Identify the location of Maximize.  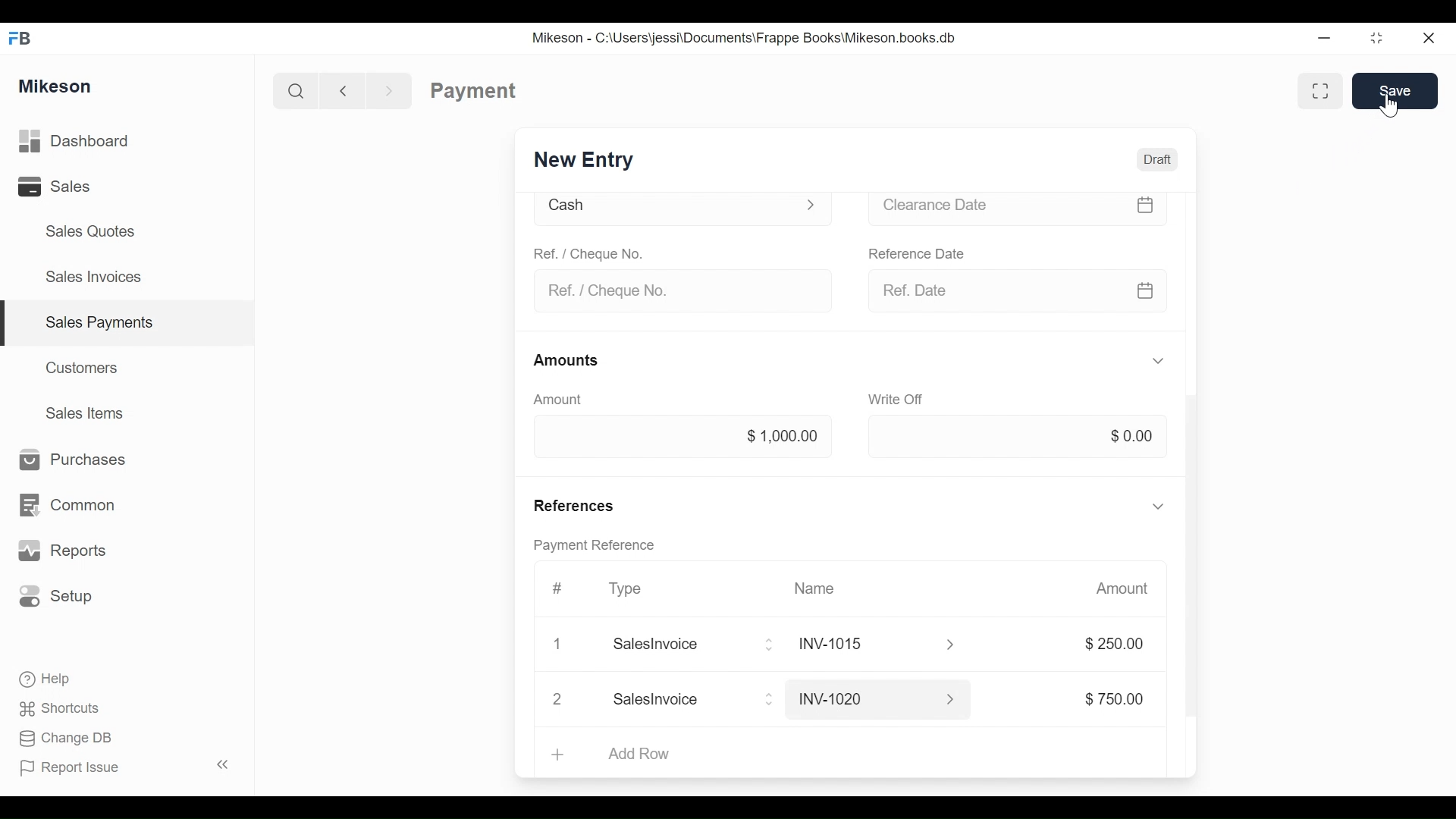
(1374, 40).